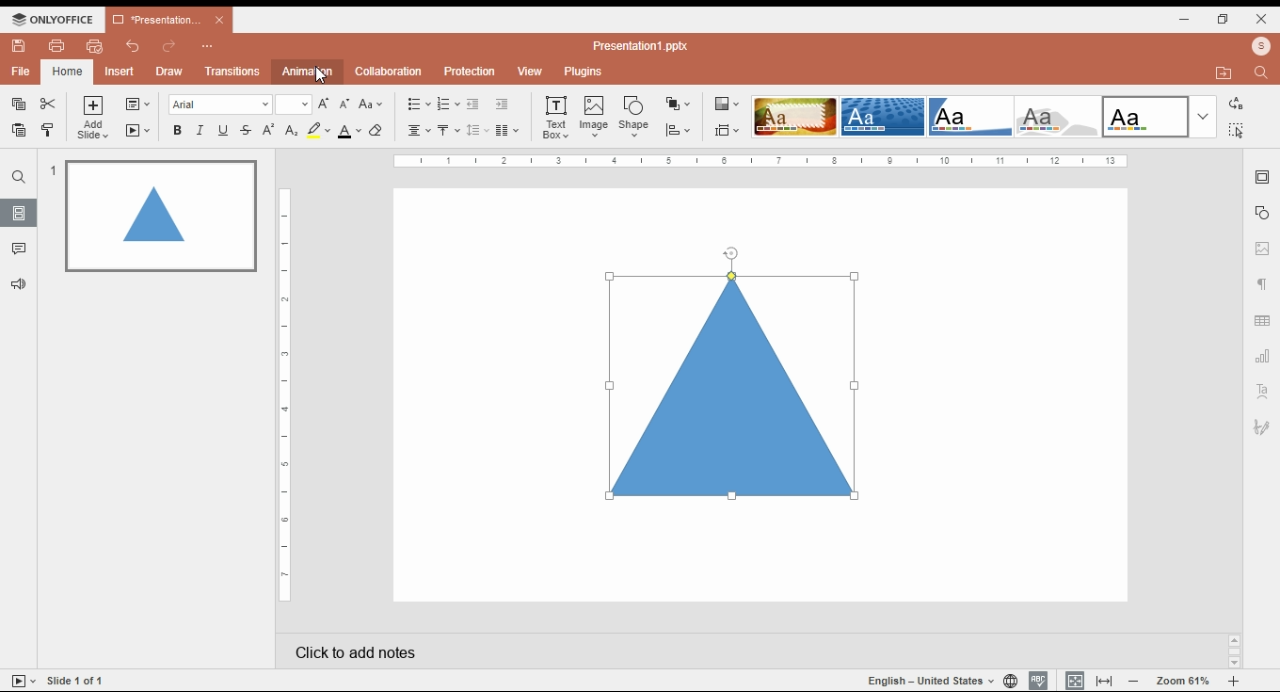 This screenshot has height=692, width=1280. What do you see at coordinates (67, 73) in the screenshot?
I see `home` at bounding box center [67, 73].